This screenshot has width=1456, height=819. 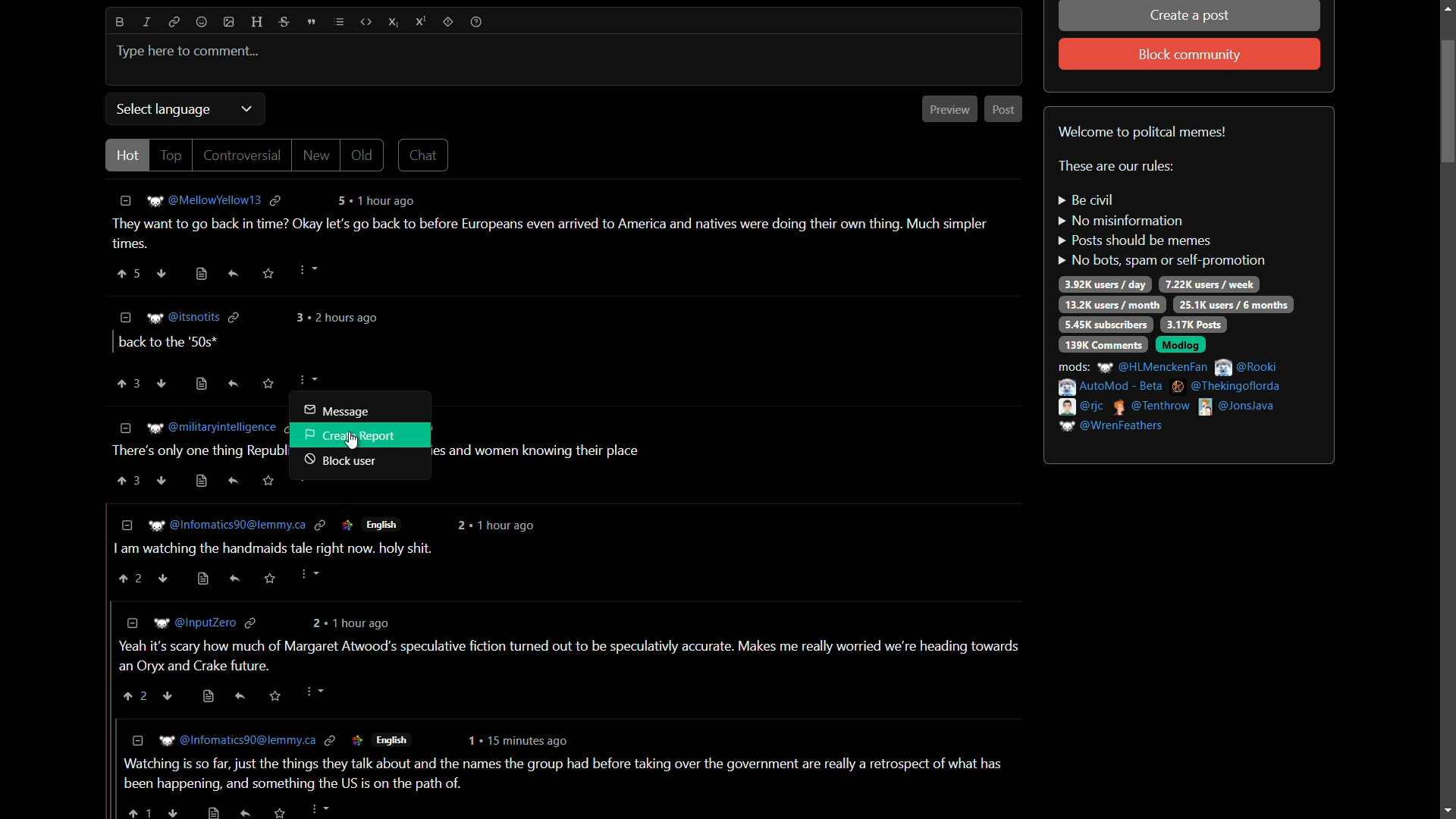 What do you see at coordinates (167, 344) in the screenshot?
I see `comment-2` at bounding box center [167, 344].